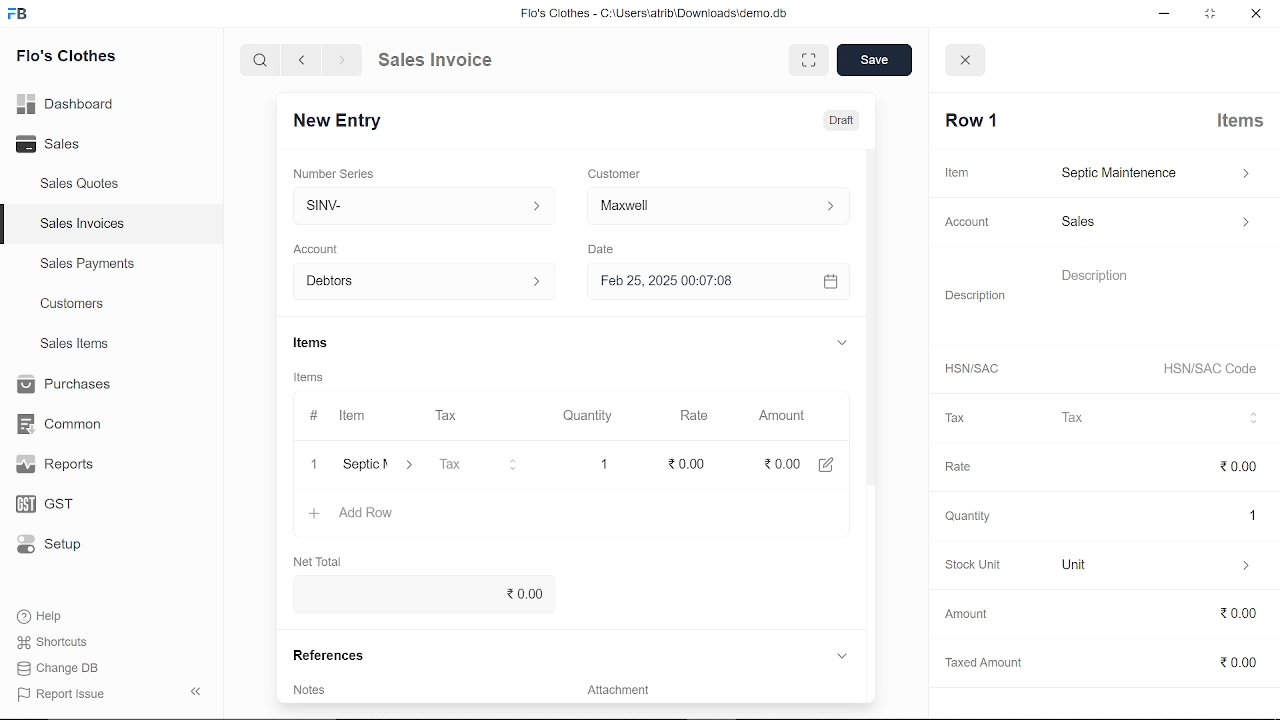  What do you see at coordinates (1154, 225) in the screenshot?
I see `sales` at bounding box center [1154, 225].